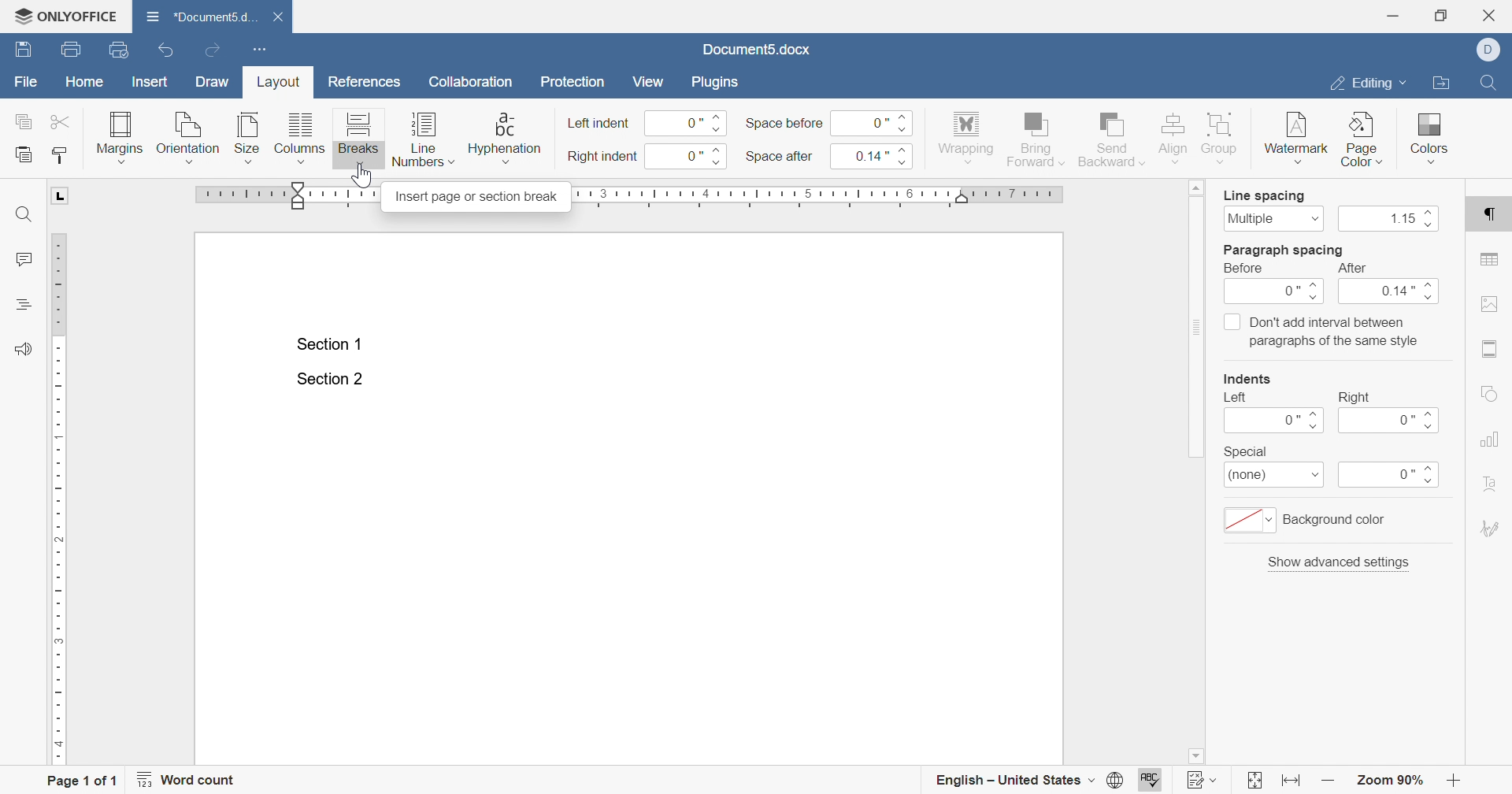 Image resolution: width=1512 pixels, height=794 pixels. Describe the element at coordinates (1489, 529) in the screenshot. I see `signature settings` at that location.